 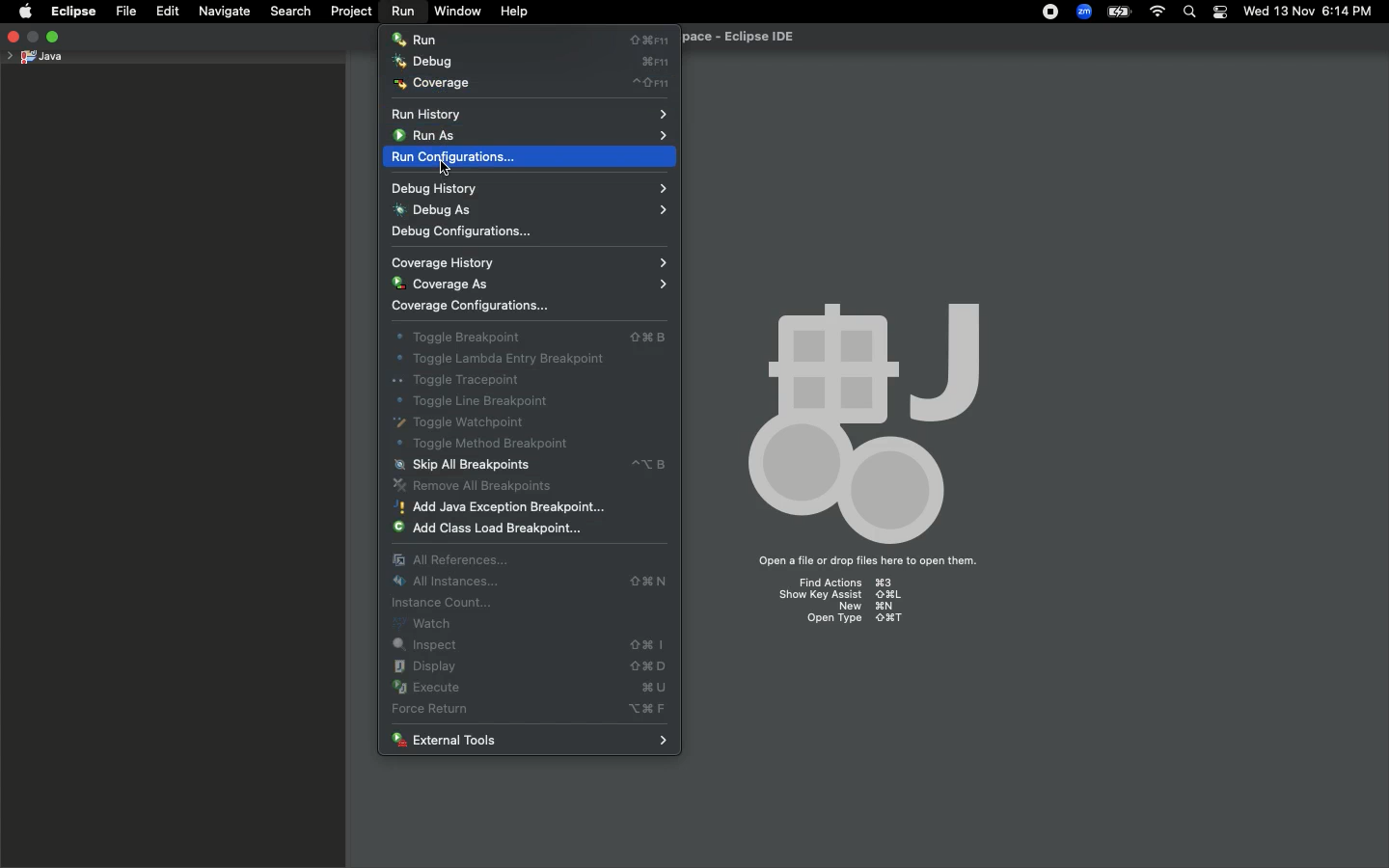 I want to click on Edit, so click(x=167, y=13).